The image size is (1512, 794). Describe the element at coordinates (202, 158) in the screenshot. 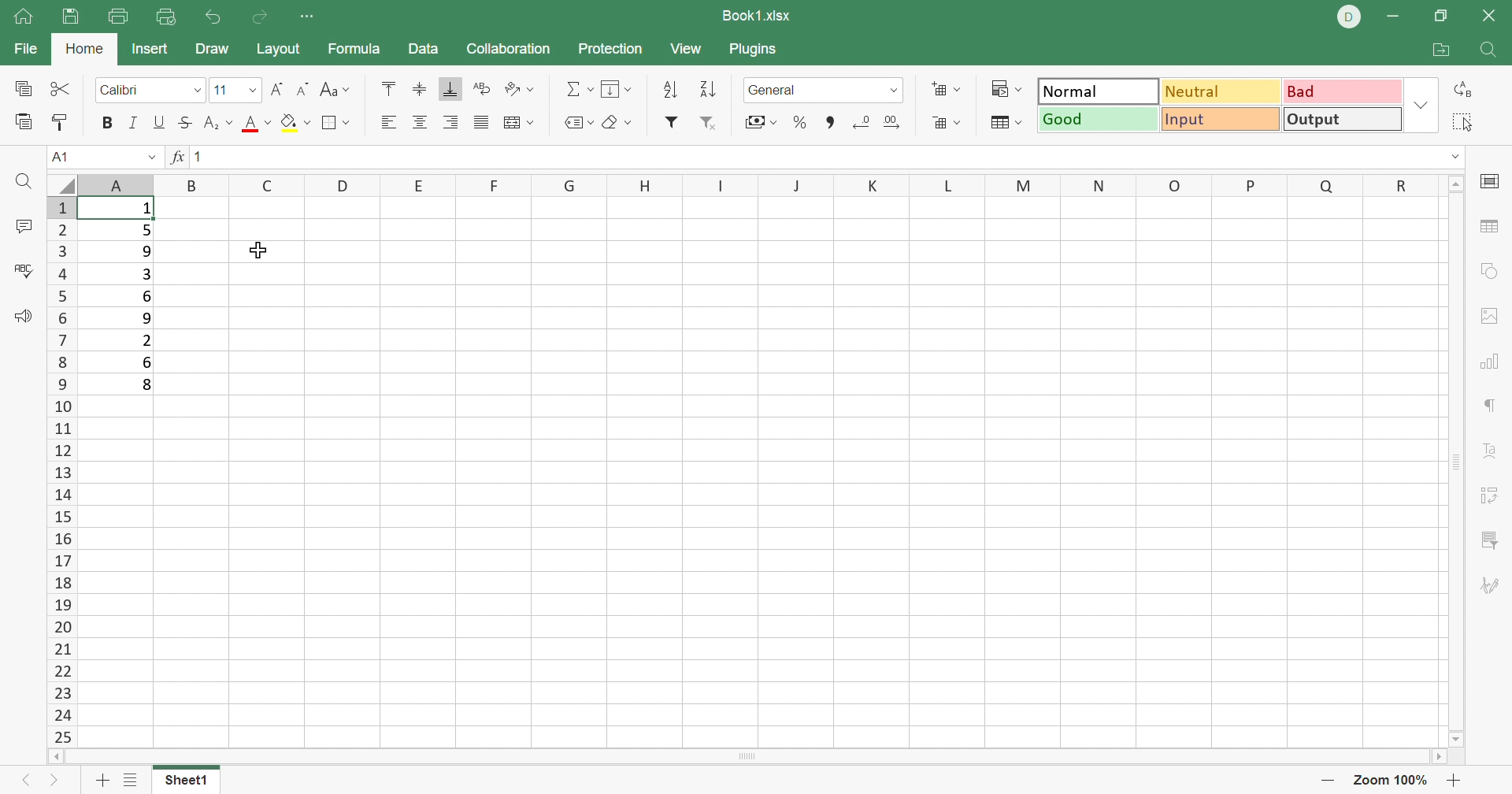

I see `1` at that location.